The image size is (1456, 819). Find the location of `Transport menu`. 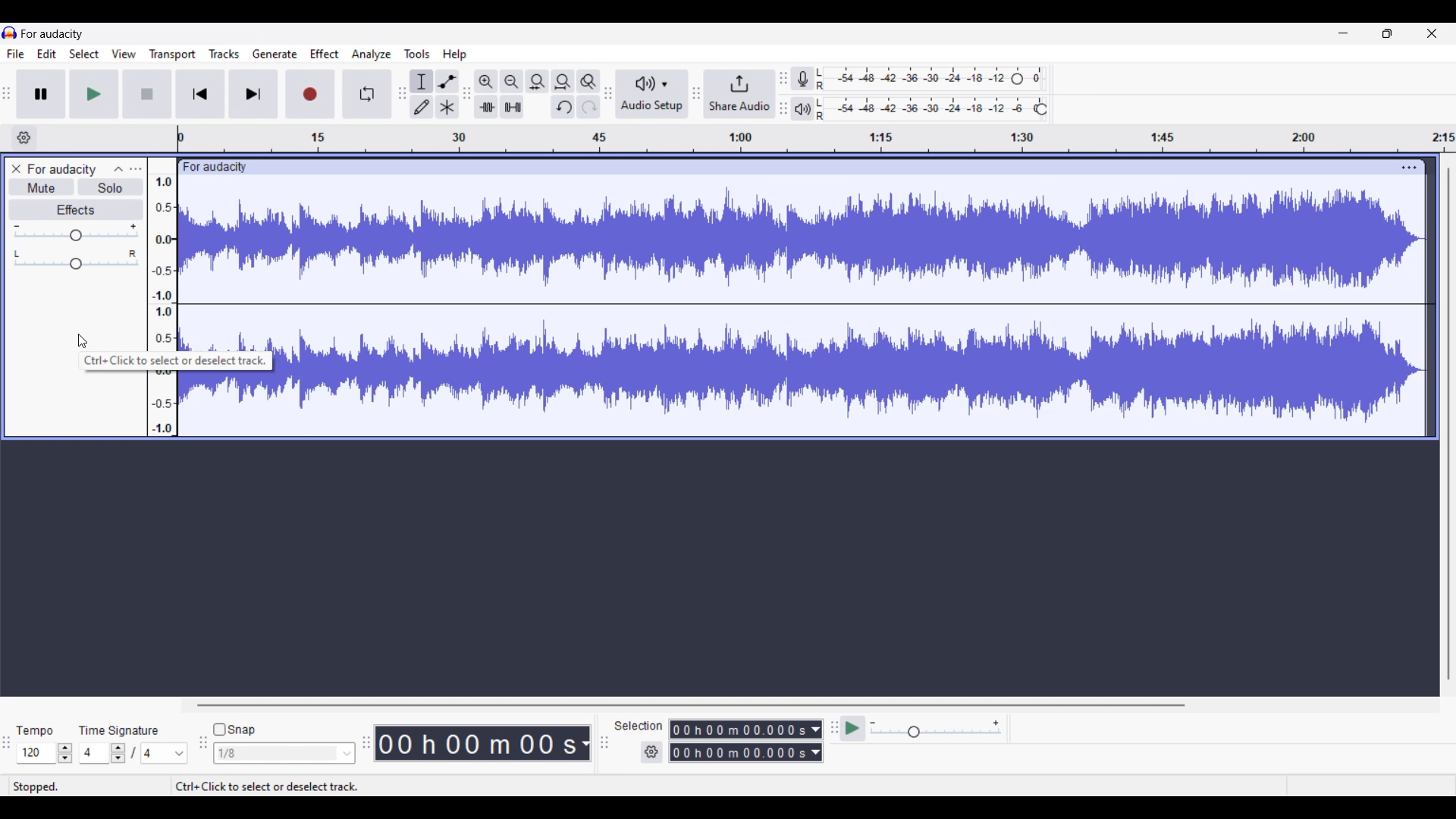

Transport menu is located at coordinates (173, 55).